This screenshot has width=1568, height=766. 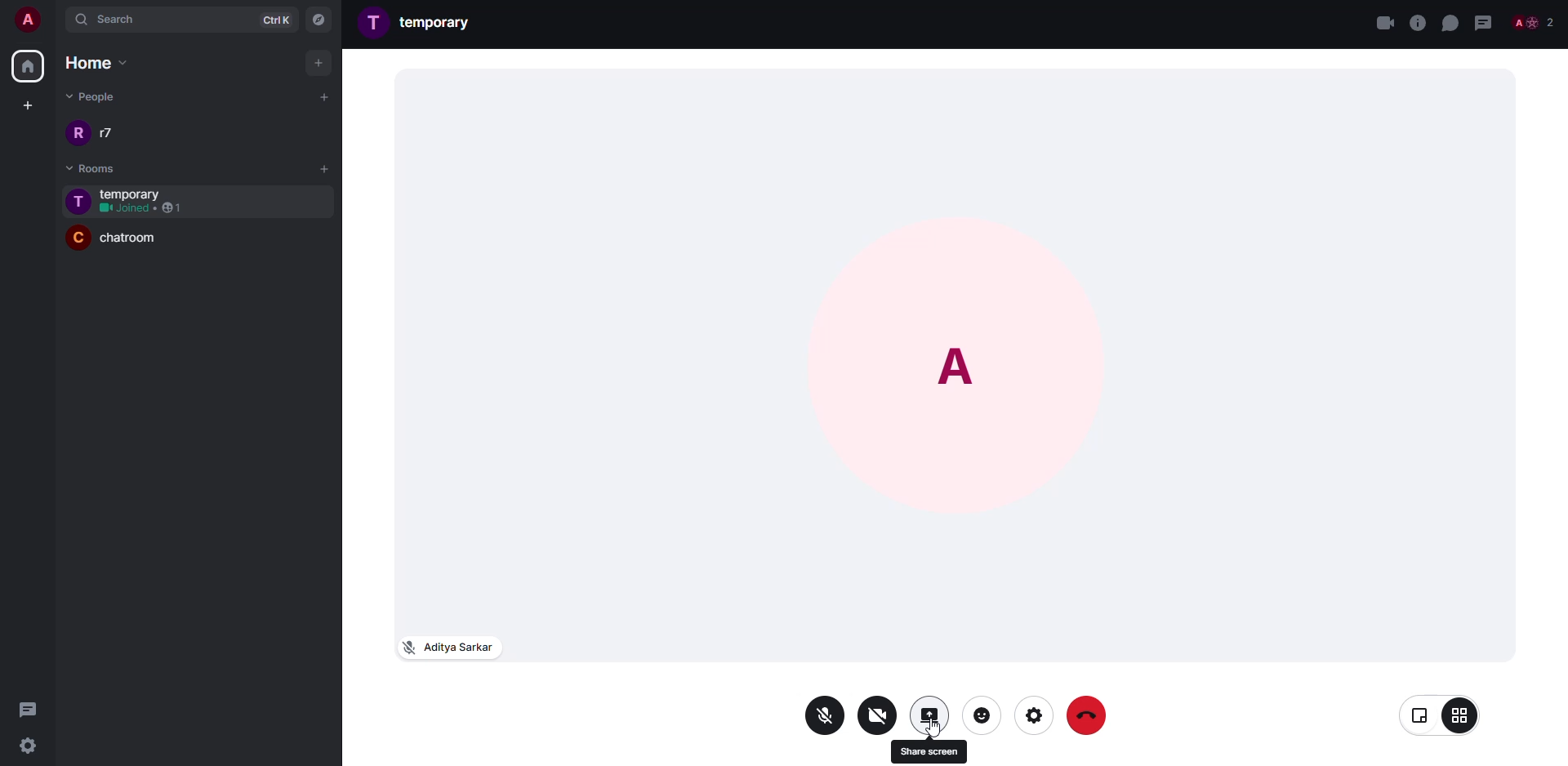 What do you see at coordinates (24, 105) in the screenshot?
I see `create space` at bounding box center [24, 105].